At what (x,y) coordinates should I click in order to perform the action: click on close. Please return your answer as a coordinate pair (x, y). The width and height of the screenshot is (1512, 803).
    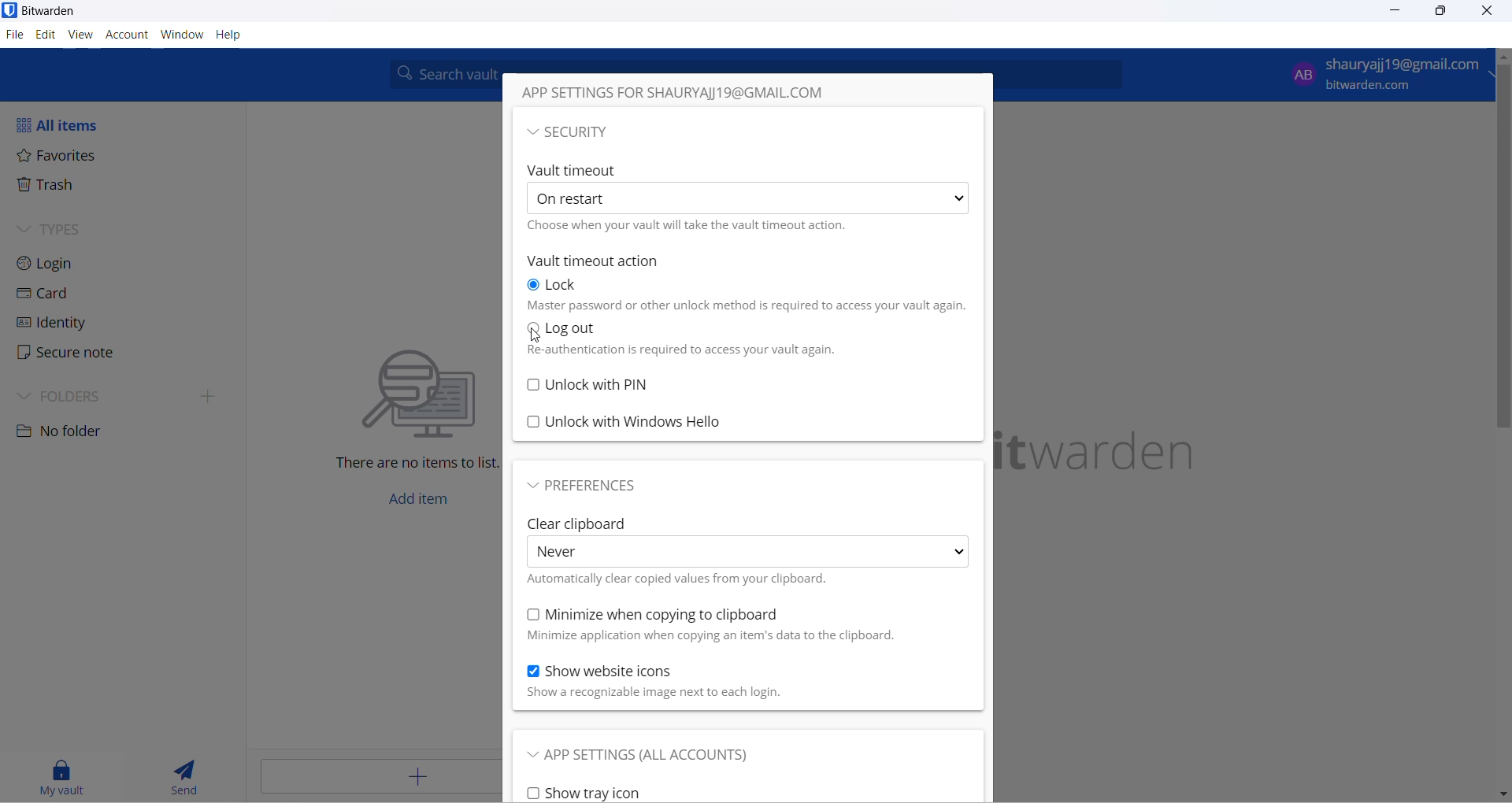
    Looking at the image, I should click on (1486, 12).